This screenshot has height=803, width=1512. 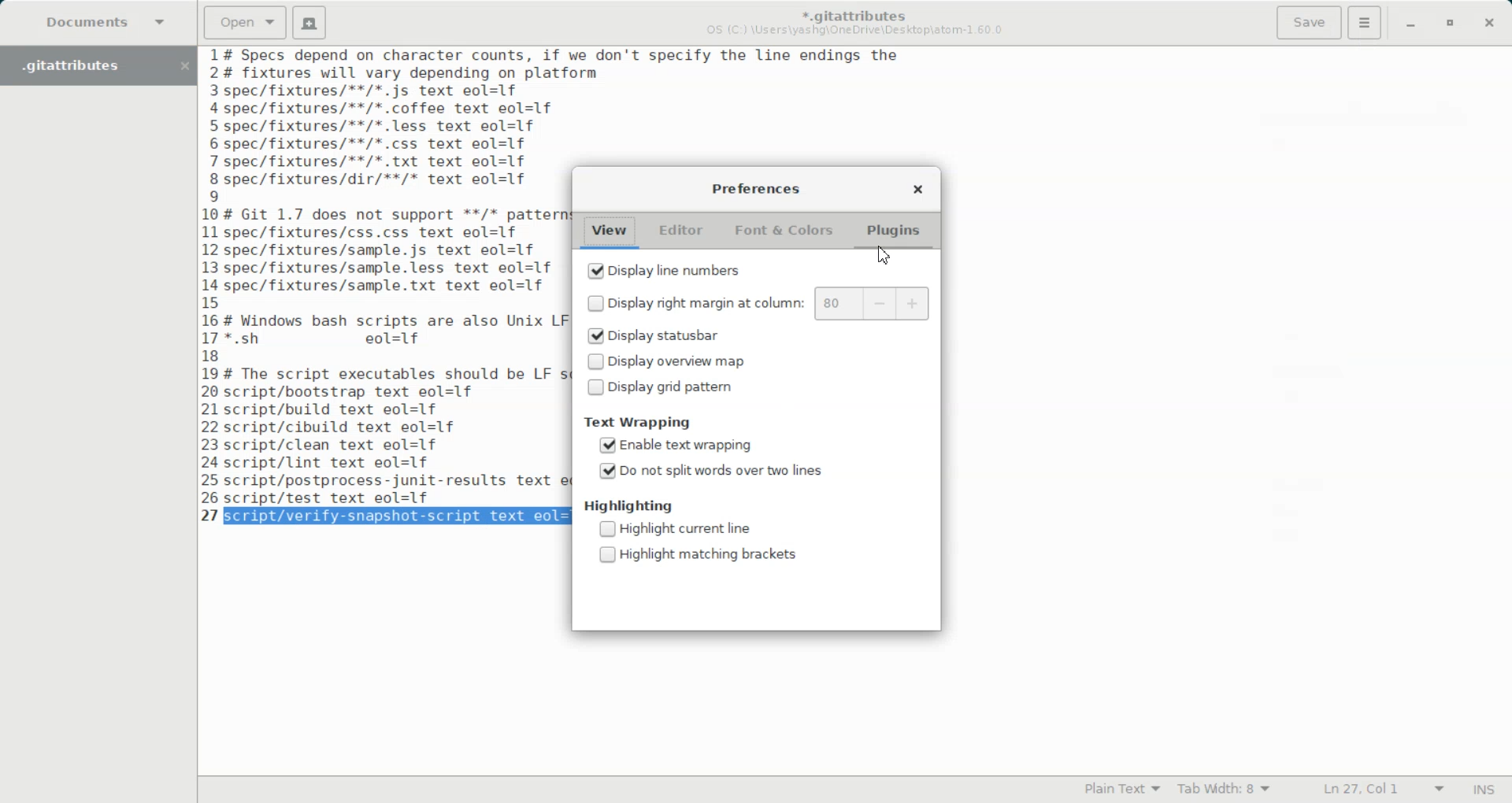 I want to click on INS, so click(x=1484, y=789).